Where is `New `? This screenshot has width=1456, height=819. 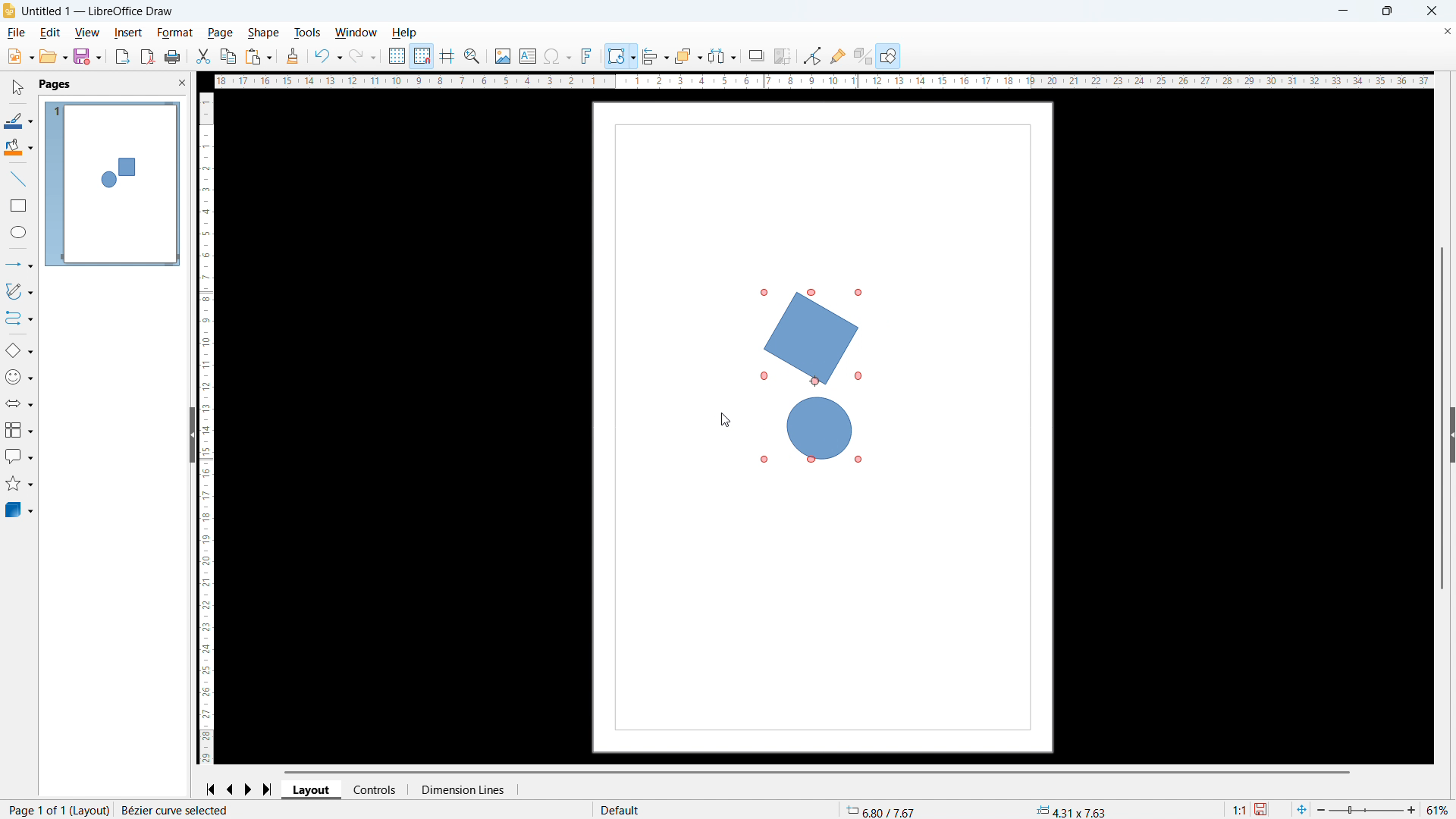
New  is located at coordinates (20, 57).